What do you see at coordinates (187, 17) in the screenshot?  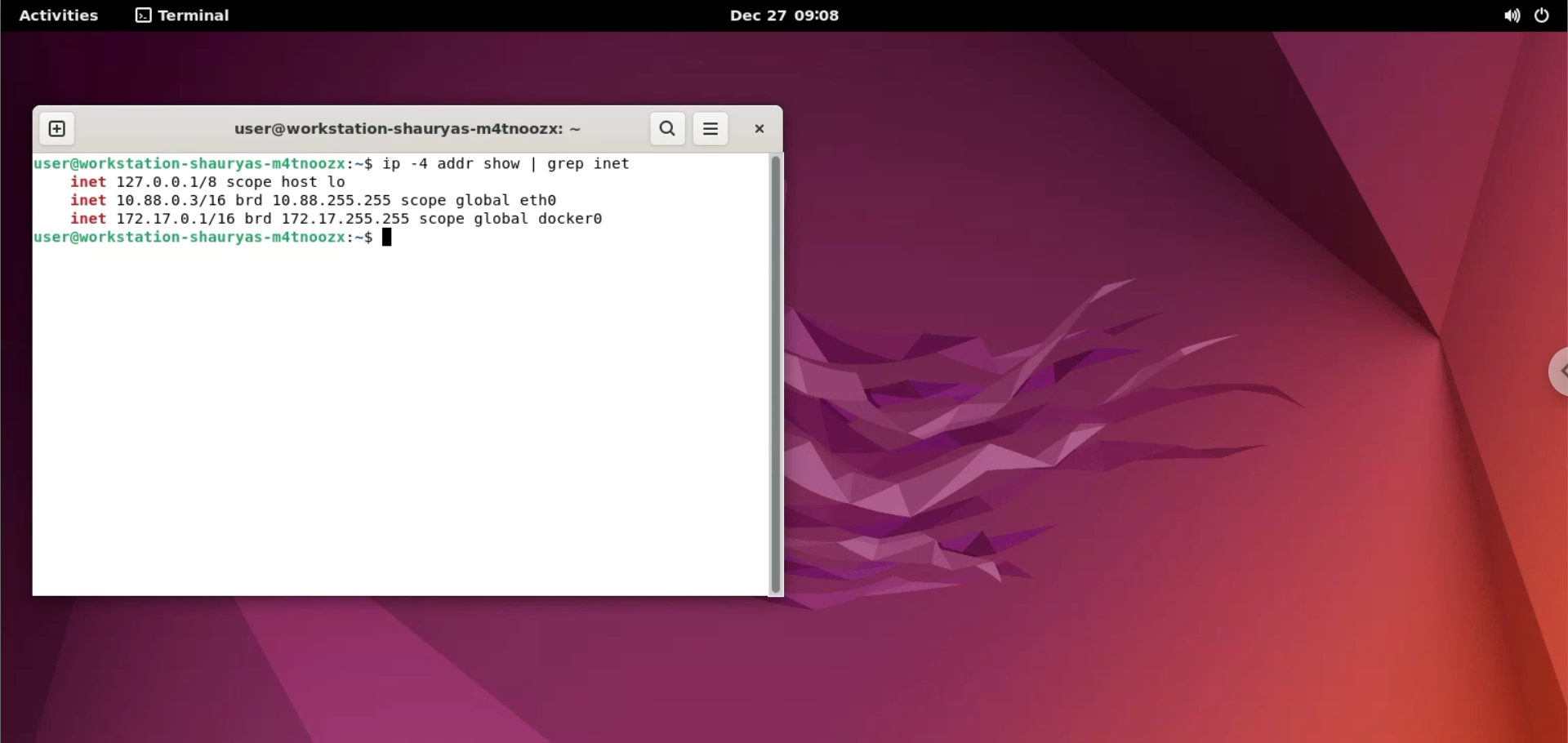 I see `Terminal` at bounding box center [187, 17].